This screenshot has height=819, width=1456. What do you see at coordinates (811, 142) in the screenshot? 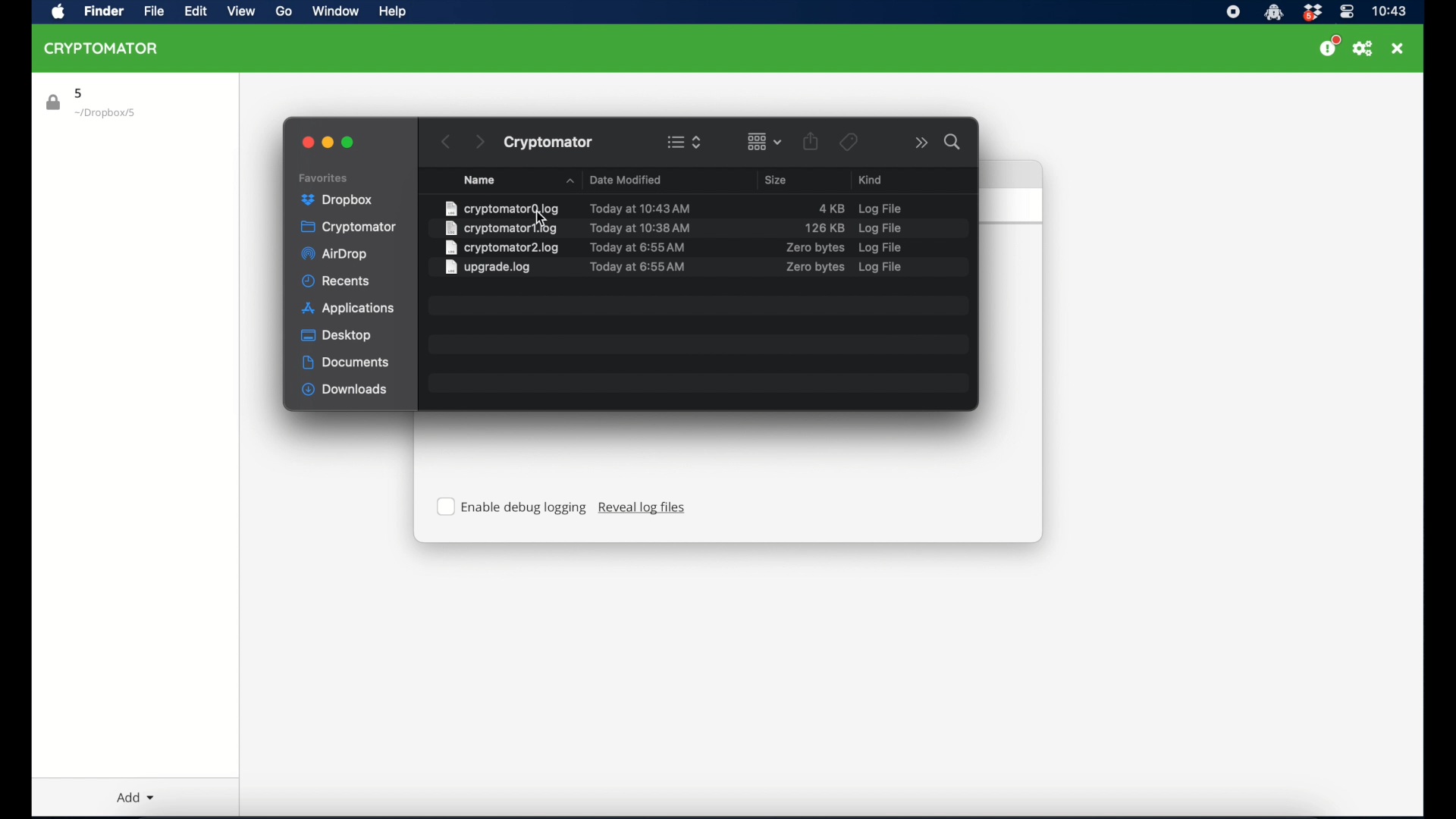
I see `share` at bounding box center [811, 142].